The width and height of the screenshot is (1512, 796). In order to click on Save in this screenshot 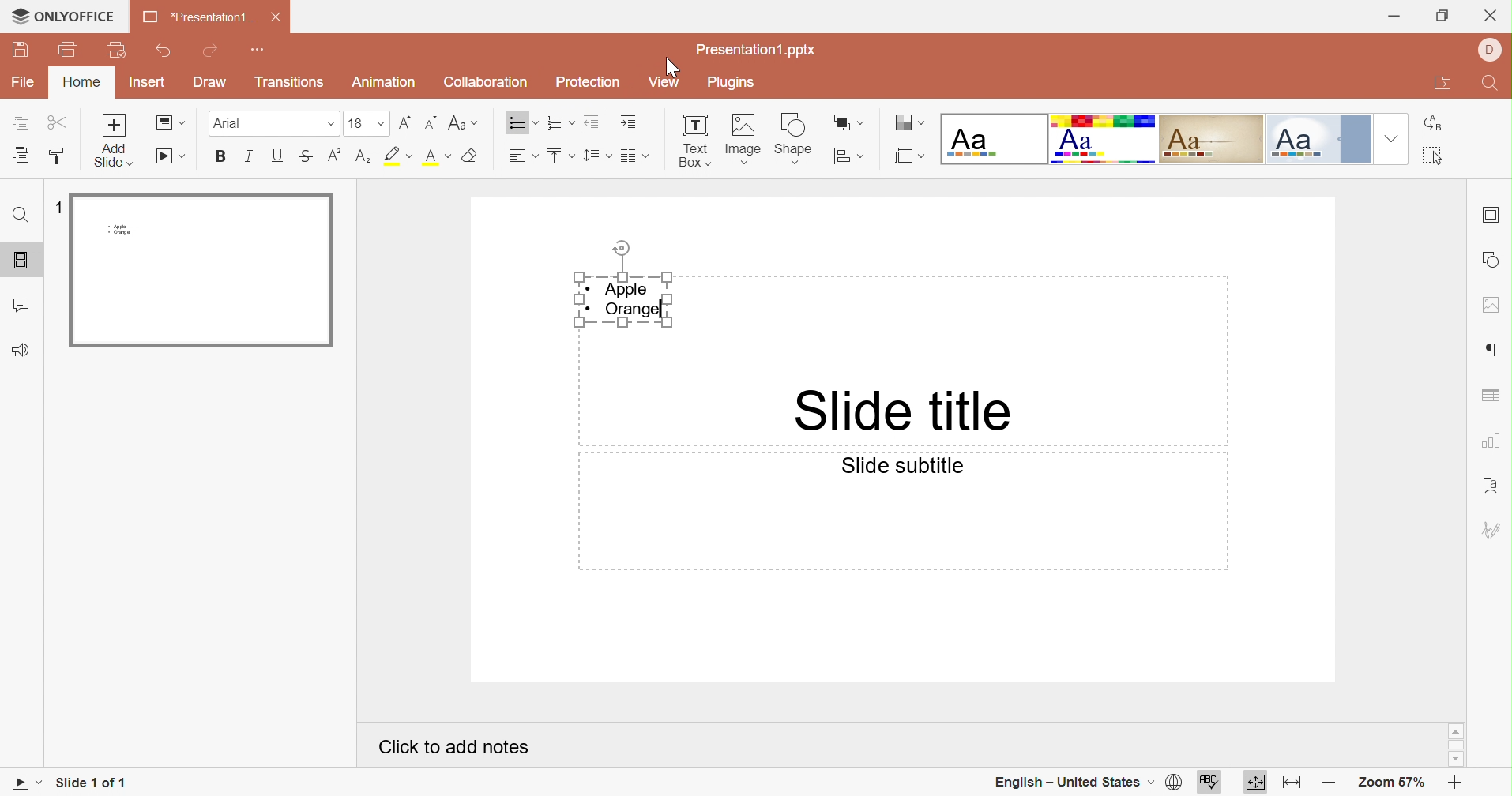, I will do `click(23, 48)`.